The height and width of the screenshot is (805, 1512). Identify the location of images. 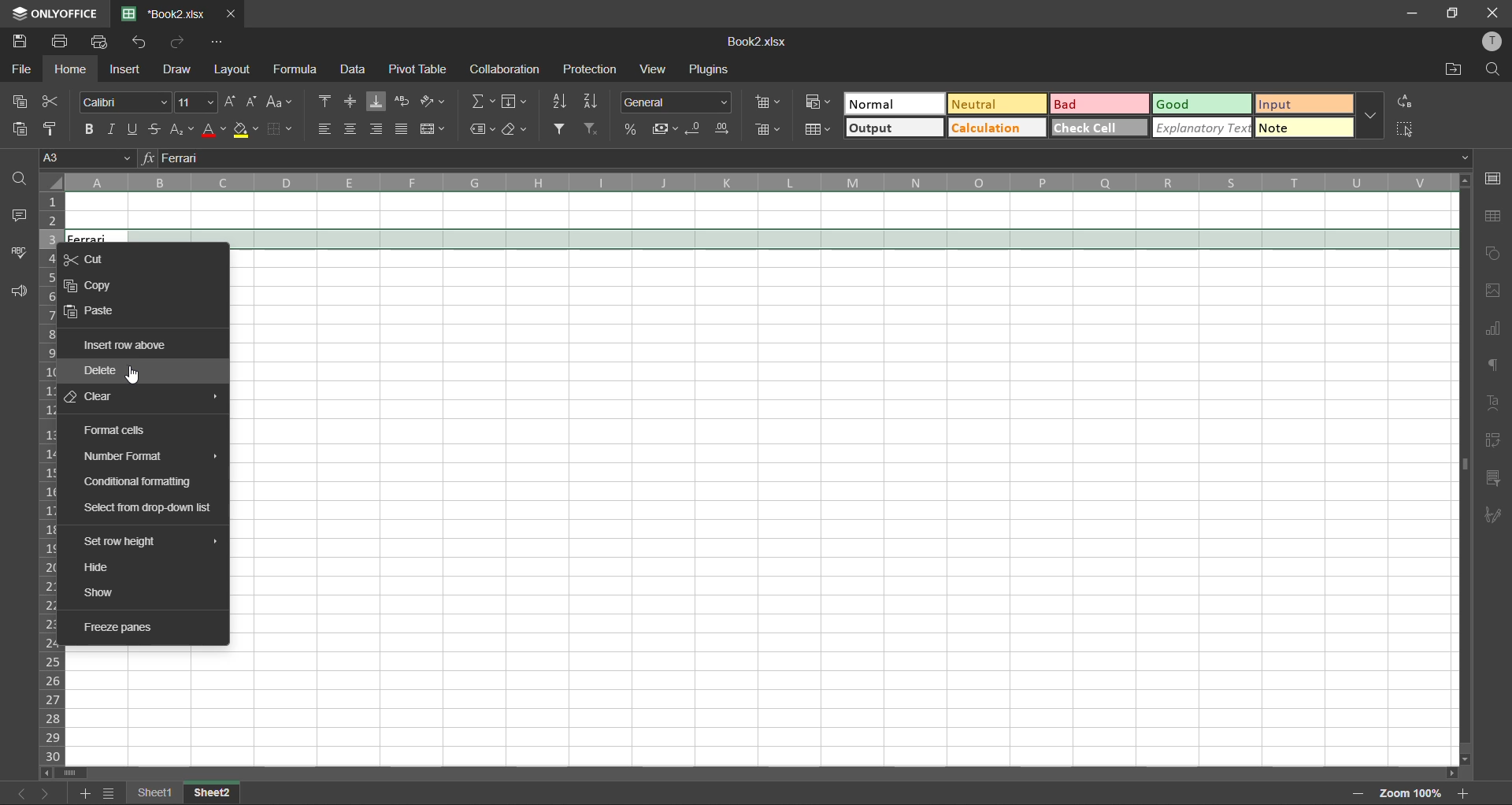
(1496, 291).